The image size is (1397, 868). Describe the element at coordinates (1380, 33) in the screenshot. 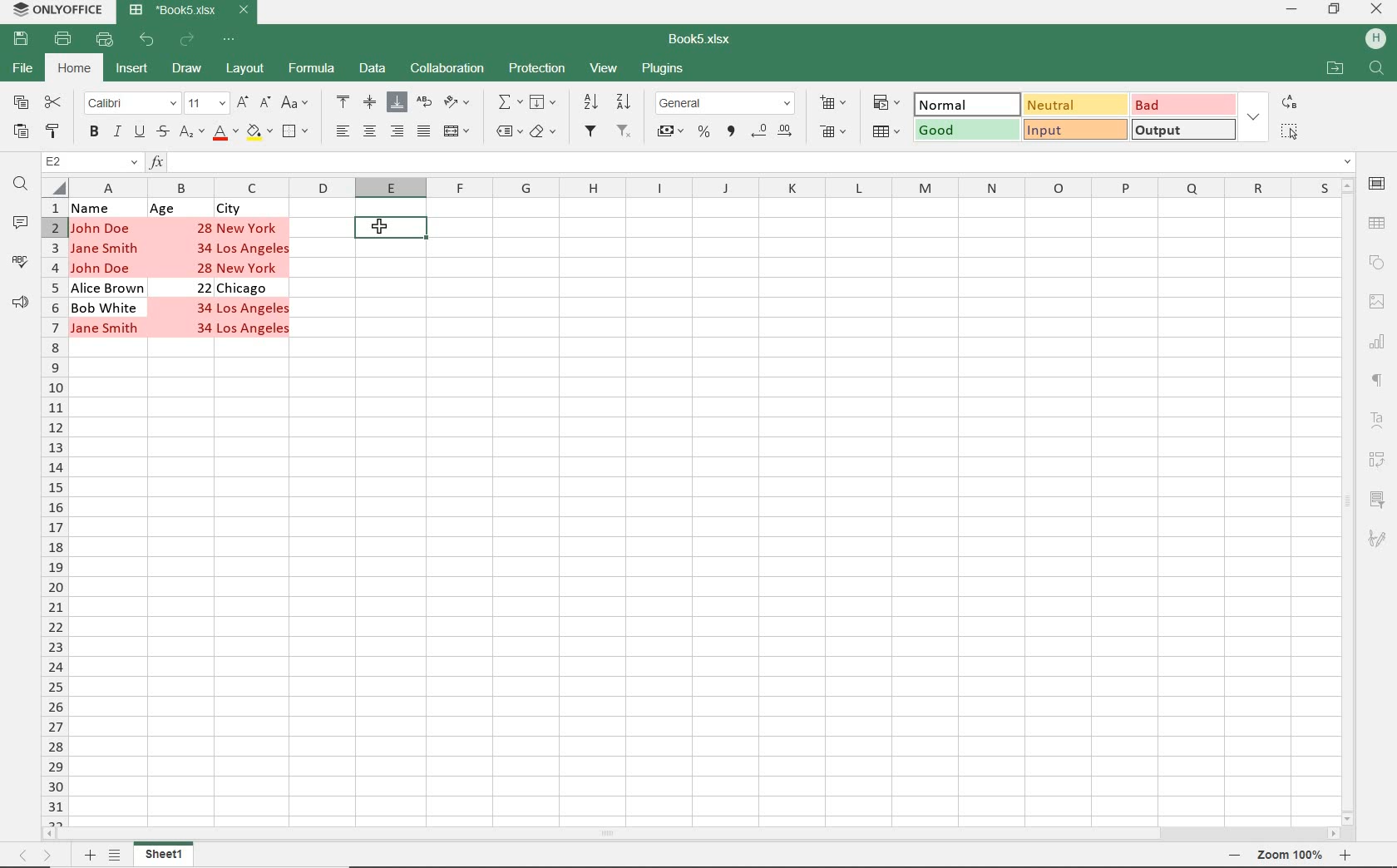

I see `HP` at that location.